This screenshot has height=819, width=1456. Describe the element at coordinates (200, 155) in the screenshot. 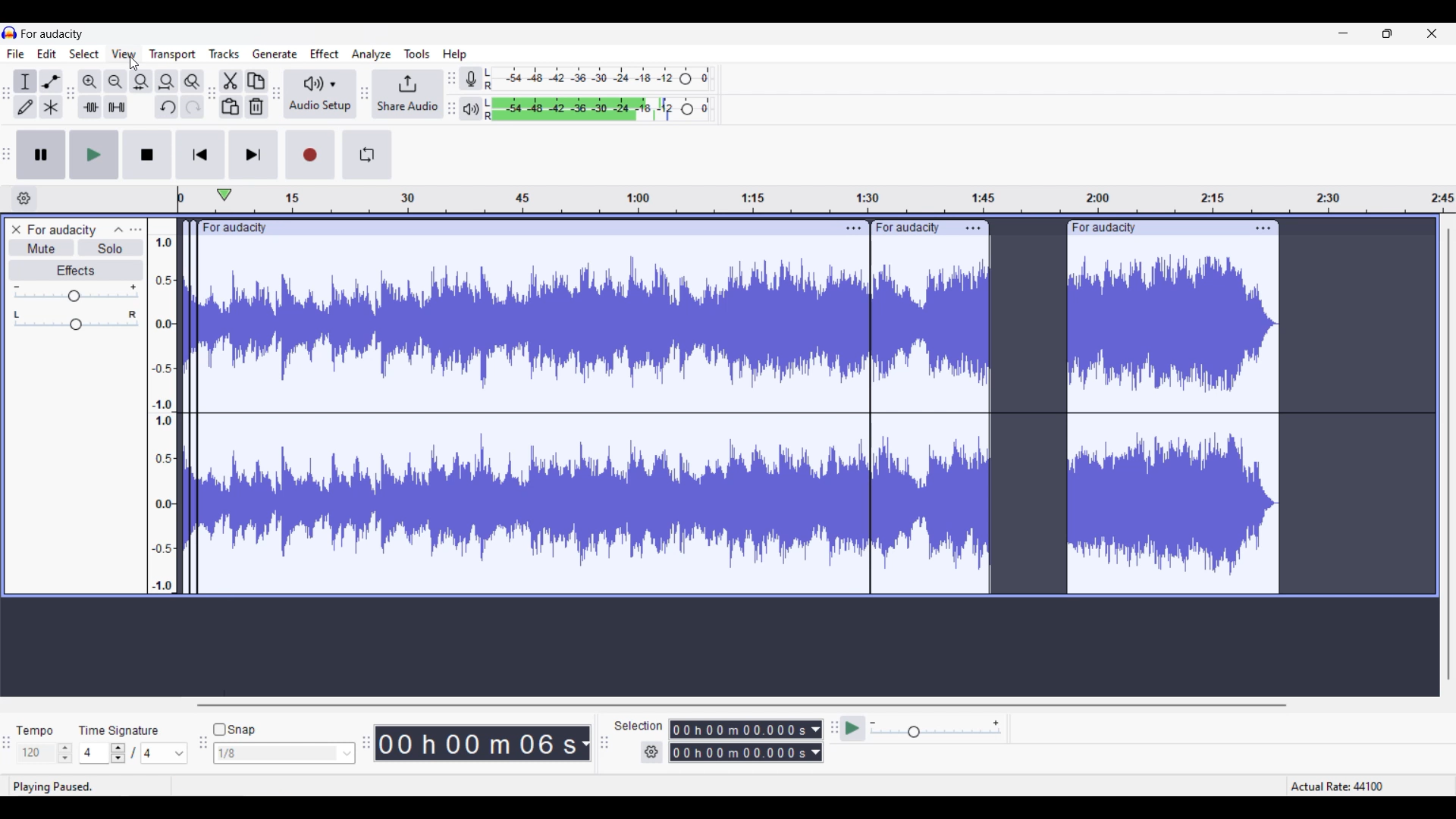

I see `Skip/Select to start` at that location.